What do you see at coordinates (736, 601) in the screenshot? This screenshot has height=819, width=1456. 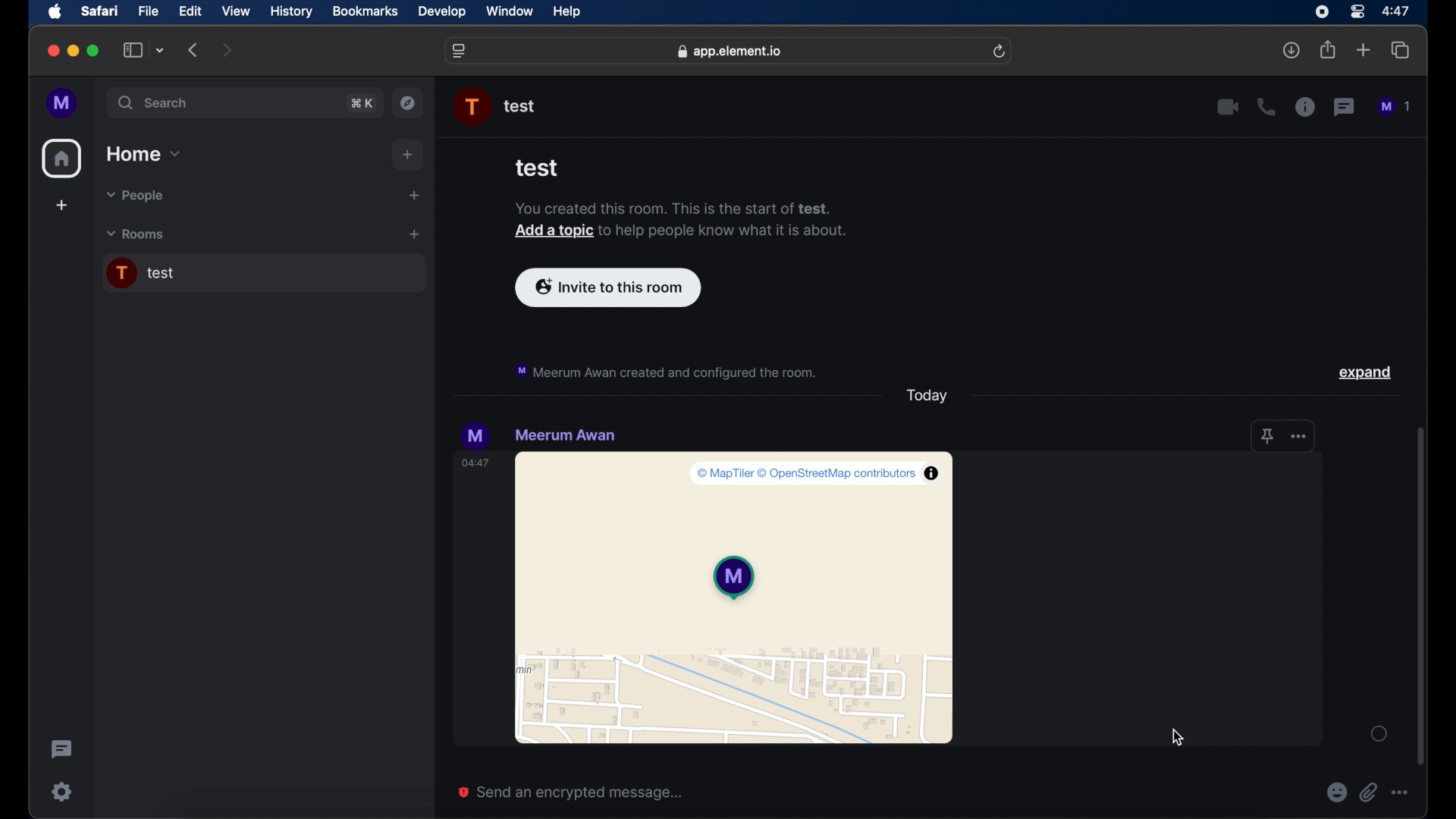 I see `map  preview` at bounding box center [736, 601].